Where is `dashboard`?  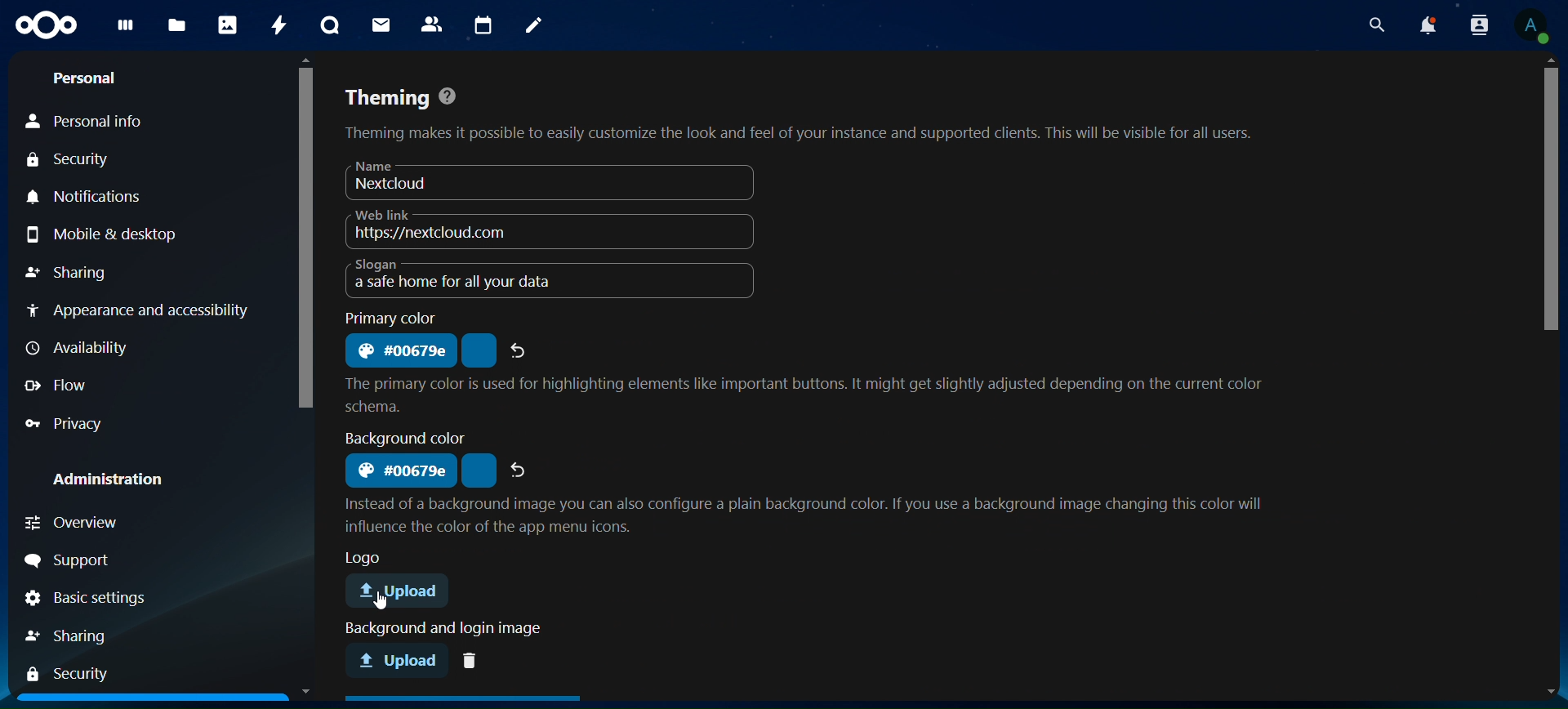
dashboard is located at coordinates (126, 30).